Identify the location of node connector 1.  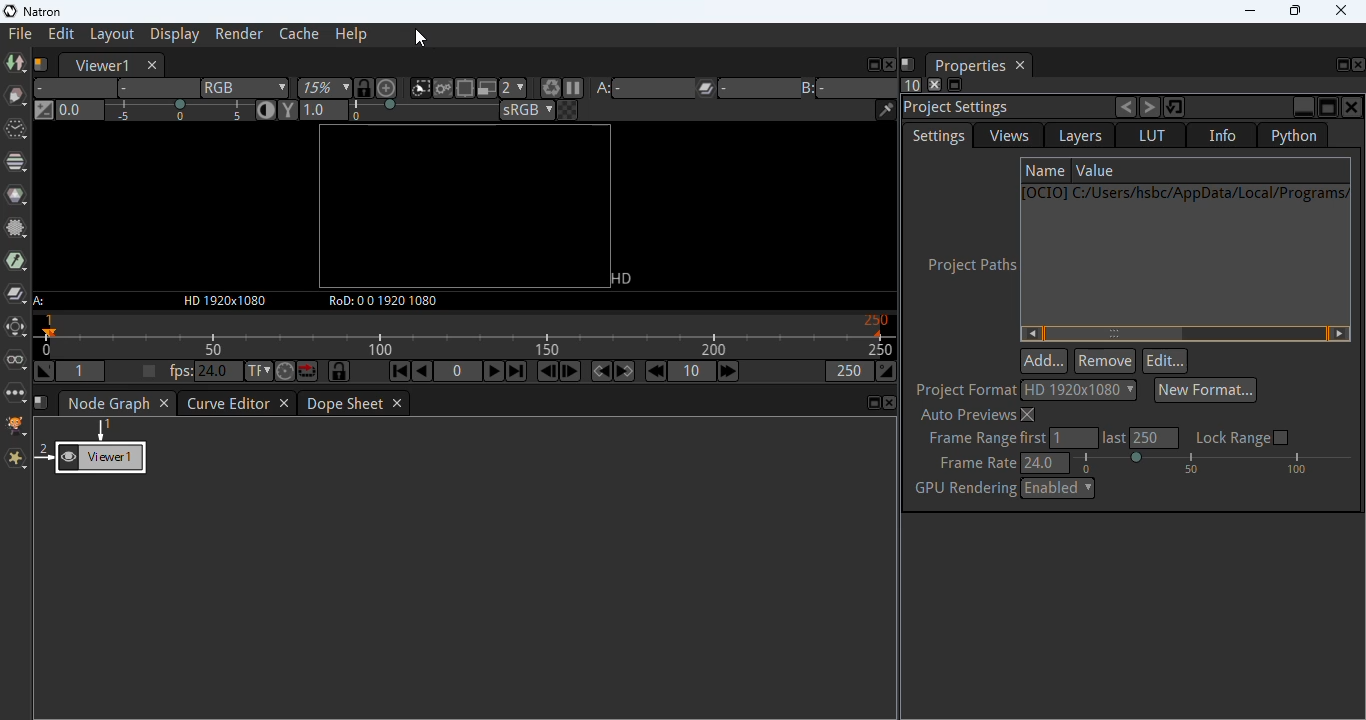
(101, 429).